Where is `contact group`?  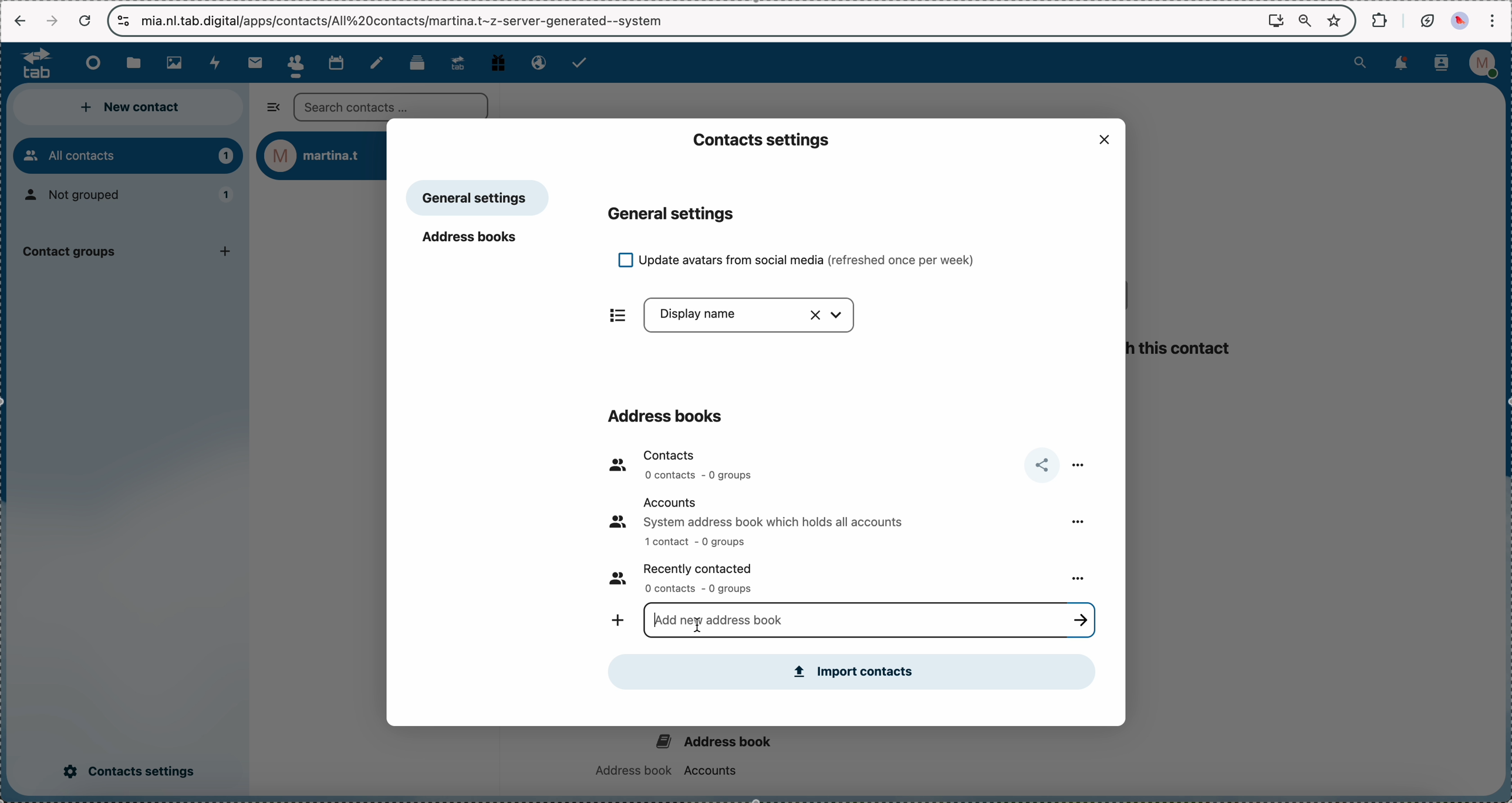
contact group is located at coordinates (127, 255).